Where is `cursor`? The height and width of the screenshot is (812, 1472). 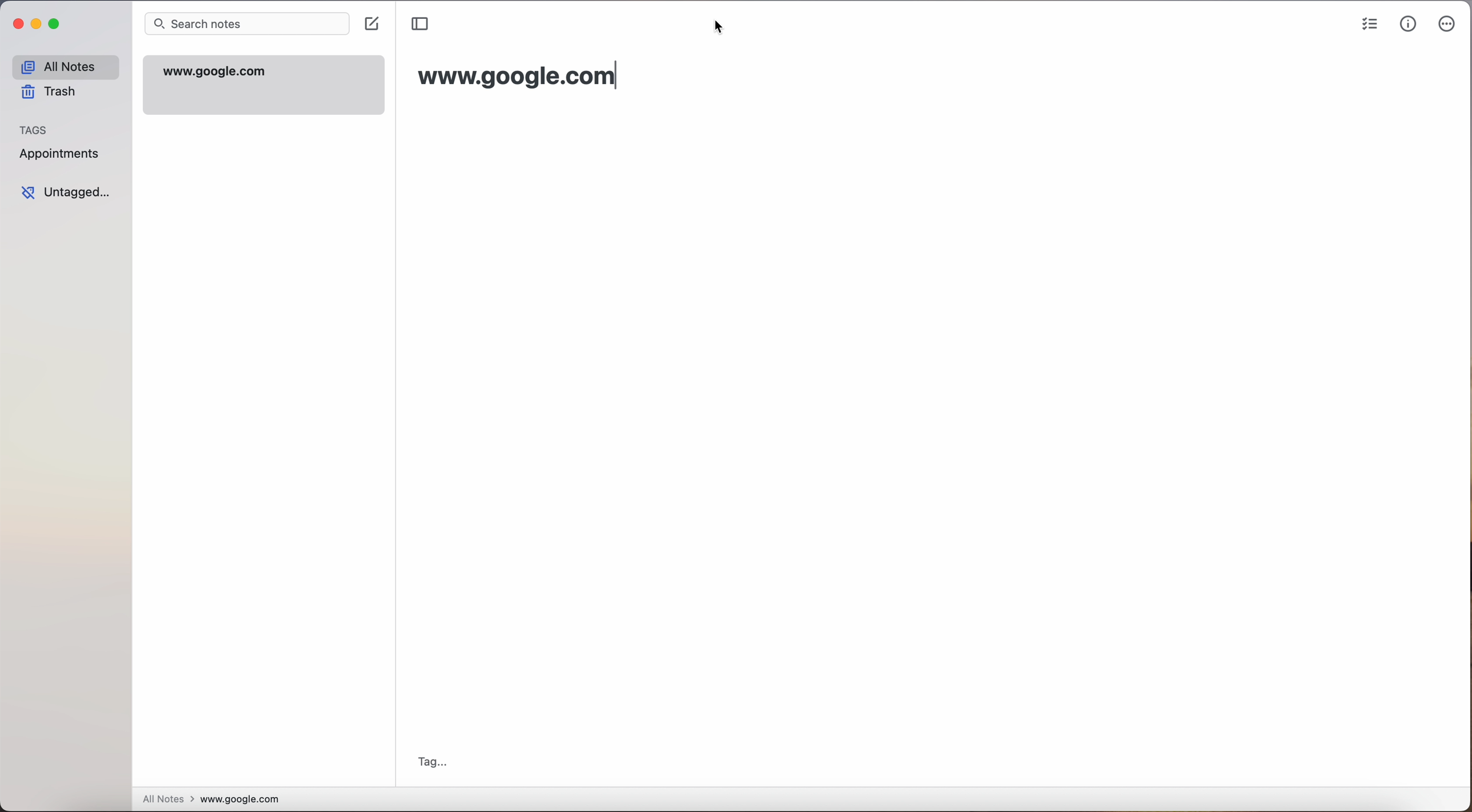
cursor is located at coordinates (378, 29).